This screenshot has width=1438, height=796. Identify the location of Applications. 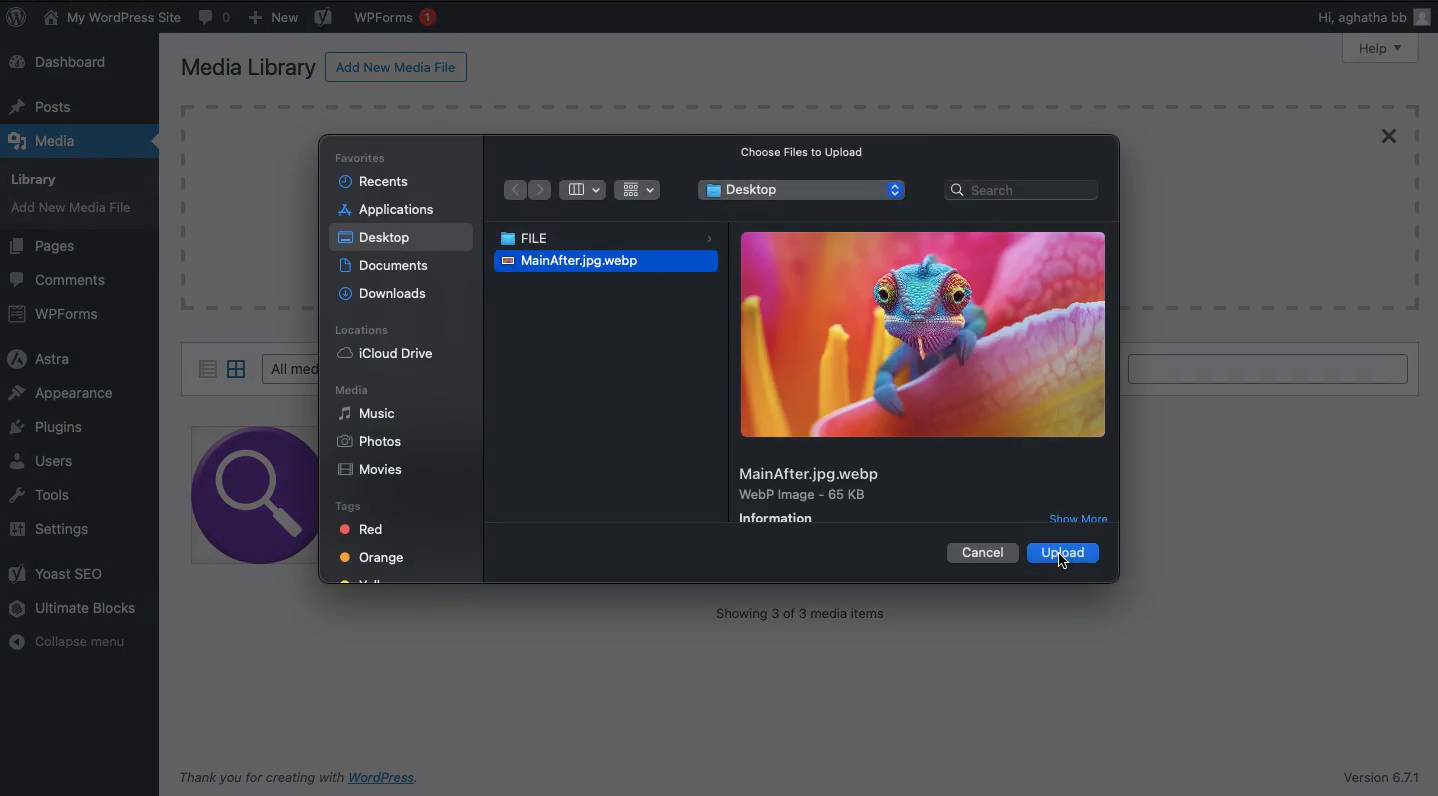
(385, 209).